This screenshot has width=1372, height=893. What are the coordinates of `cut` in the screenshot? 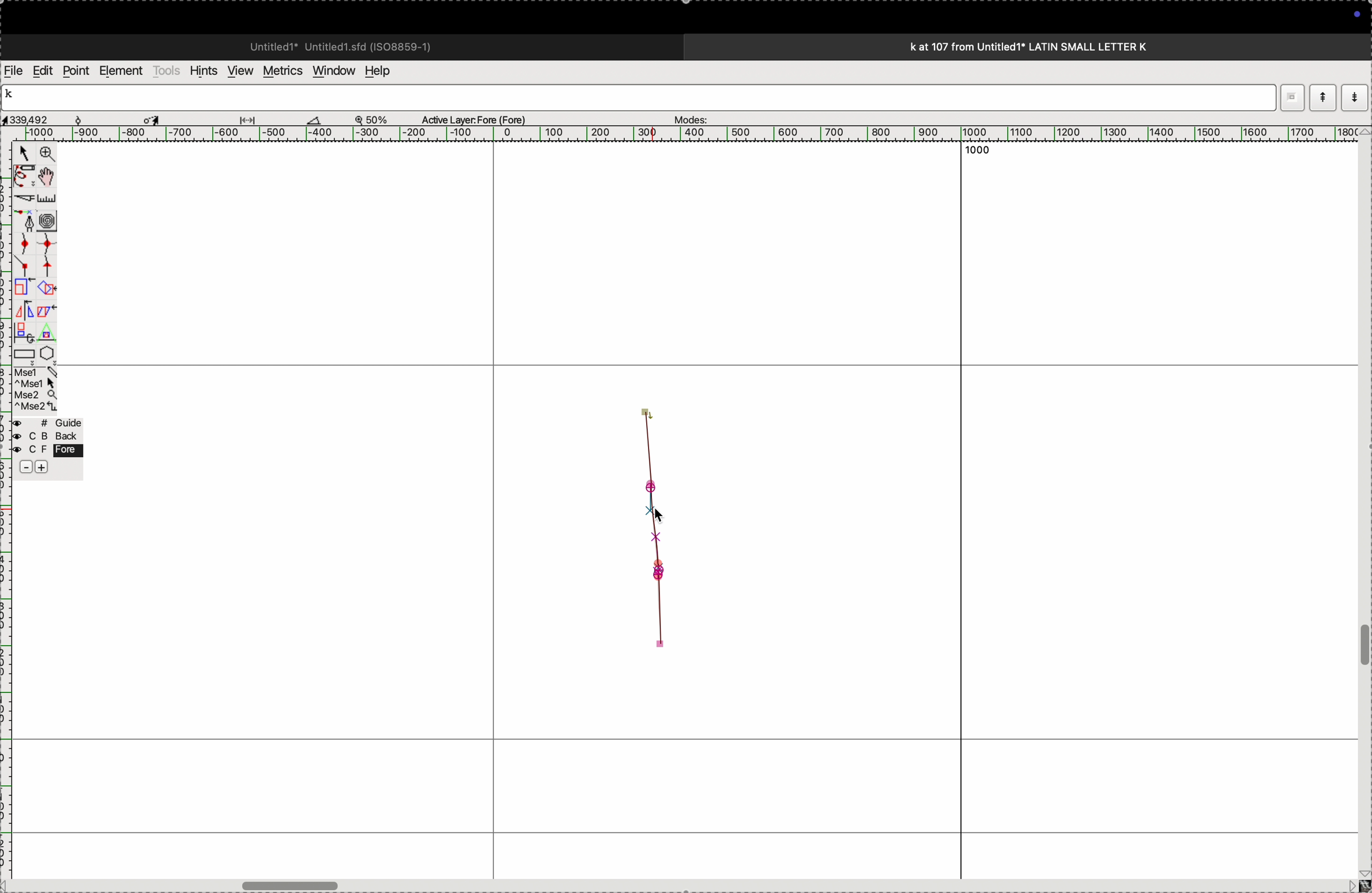 It's located at (314, 119).